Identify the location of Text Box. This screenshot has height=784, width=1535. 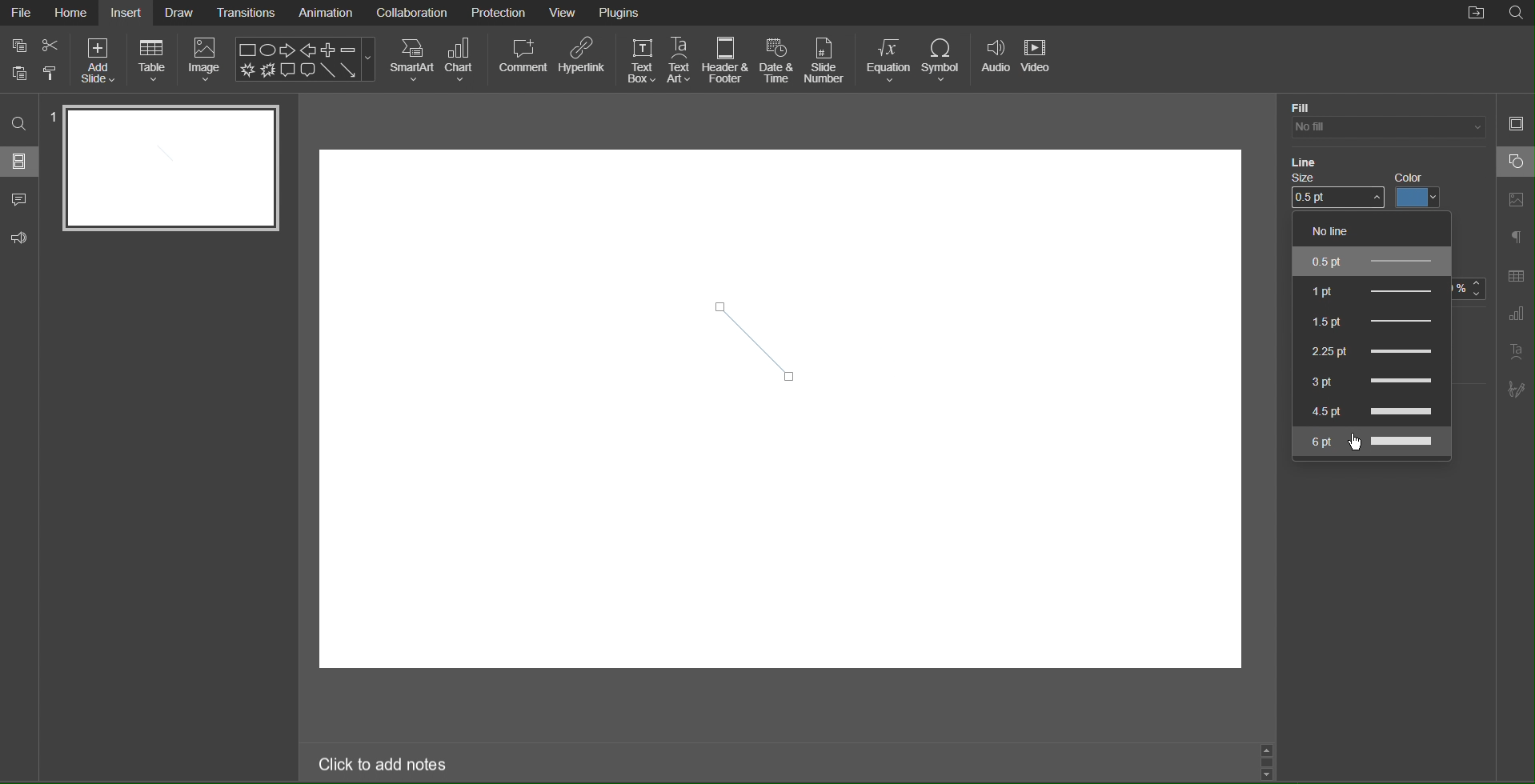
(639, 59).